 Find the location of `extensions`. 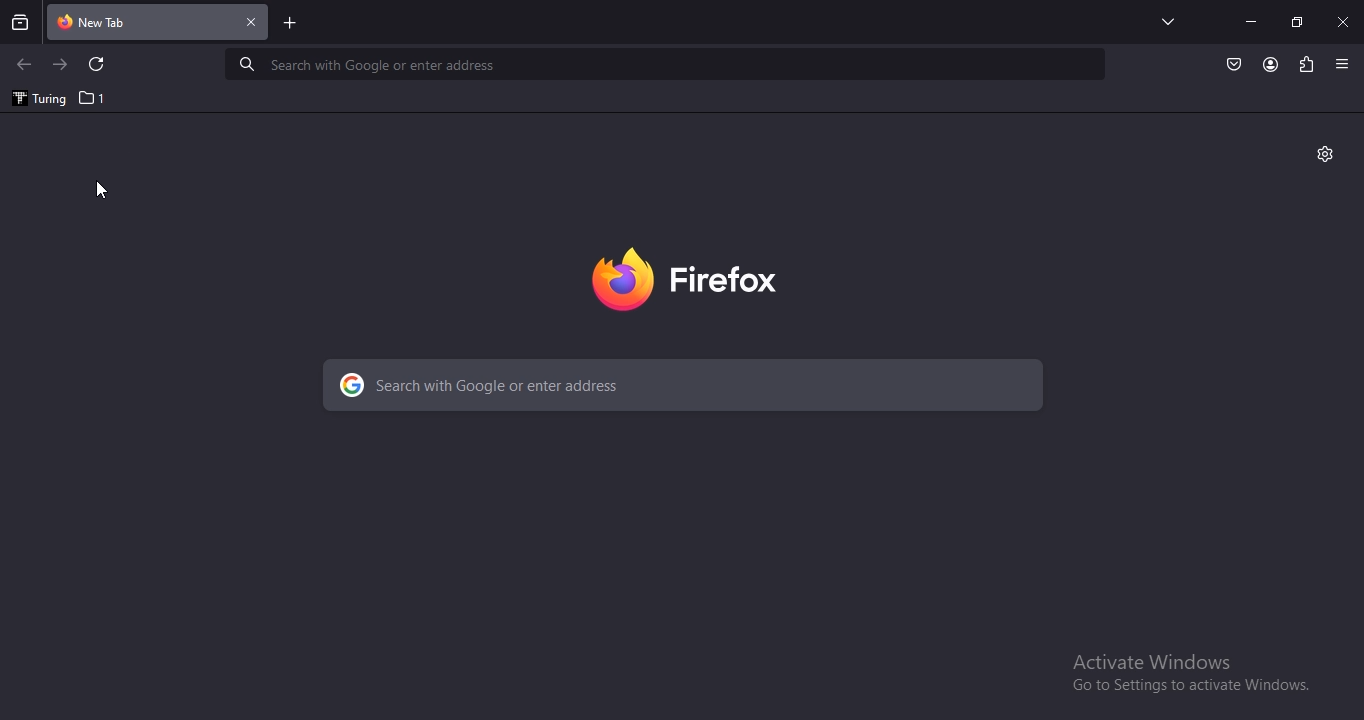

extensions is located at coordinates (1306, 65).